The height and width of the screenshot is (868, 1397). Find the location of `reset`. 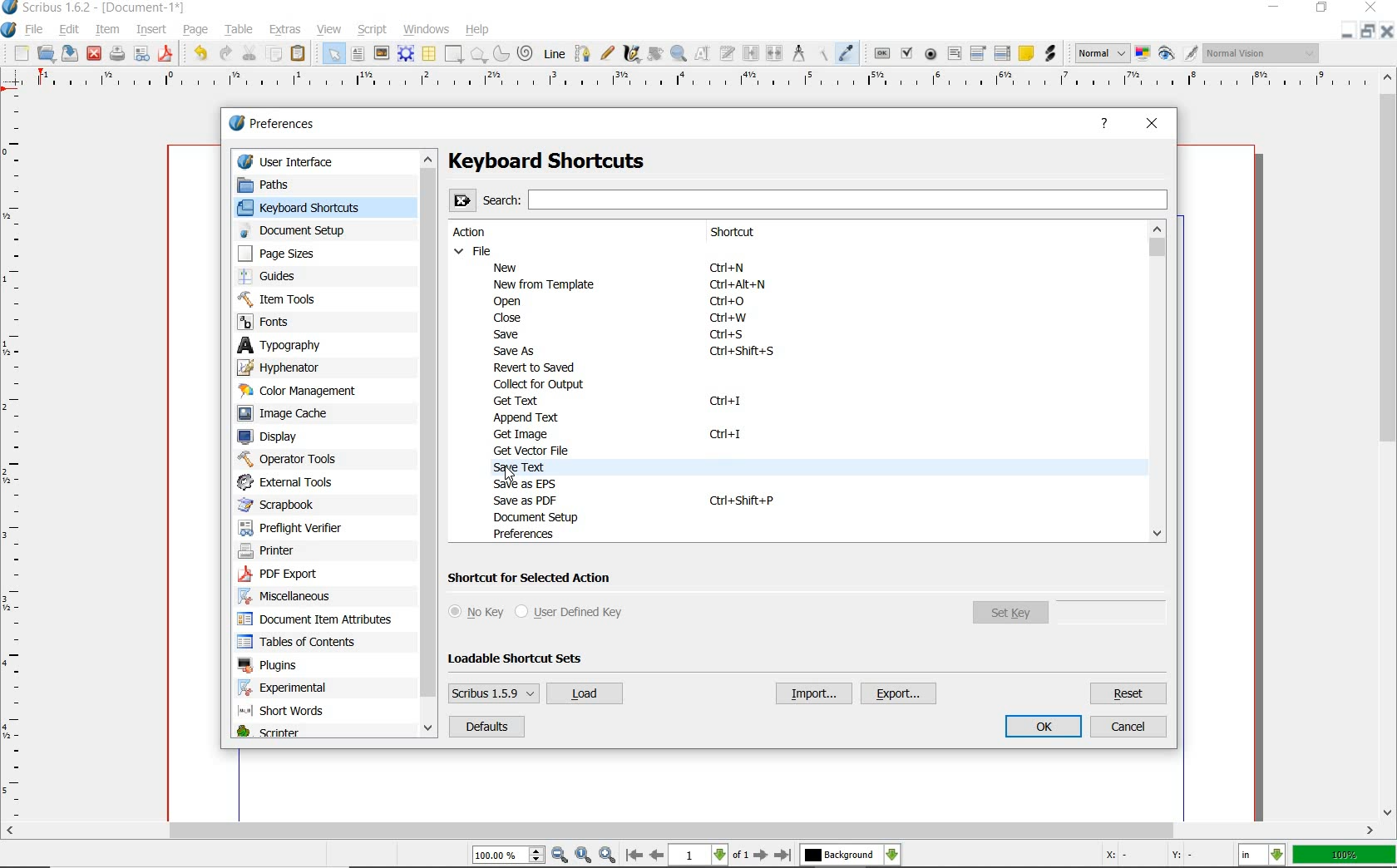

reset is located at coordinates (1129, 693).